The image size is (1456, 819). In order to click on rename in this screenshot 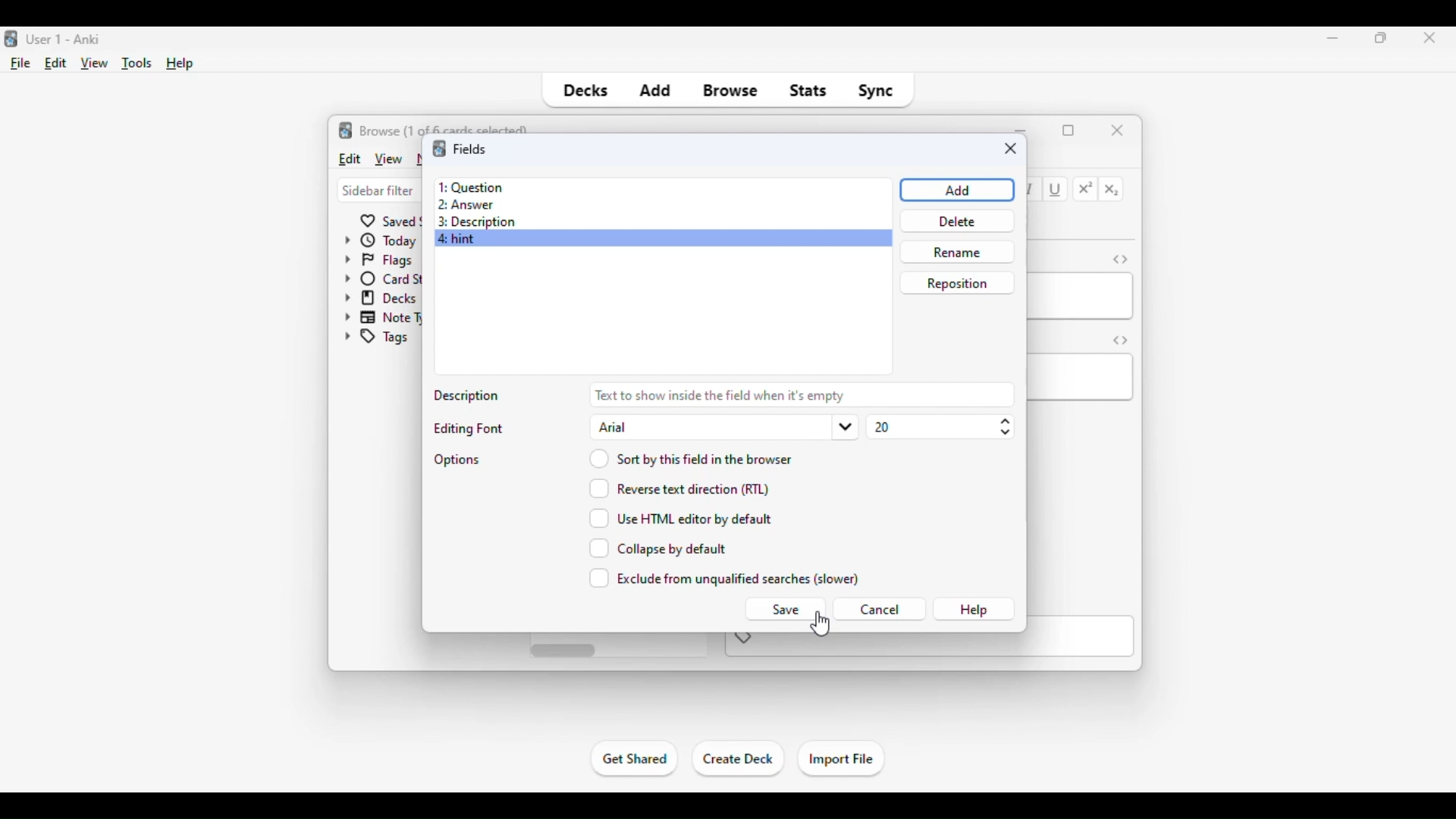, I will do `click(956, 252)`.